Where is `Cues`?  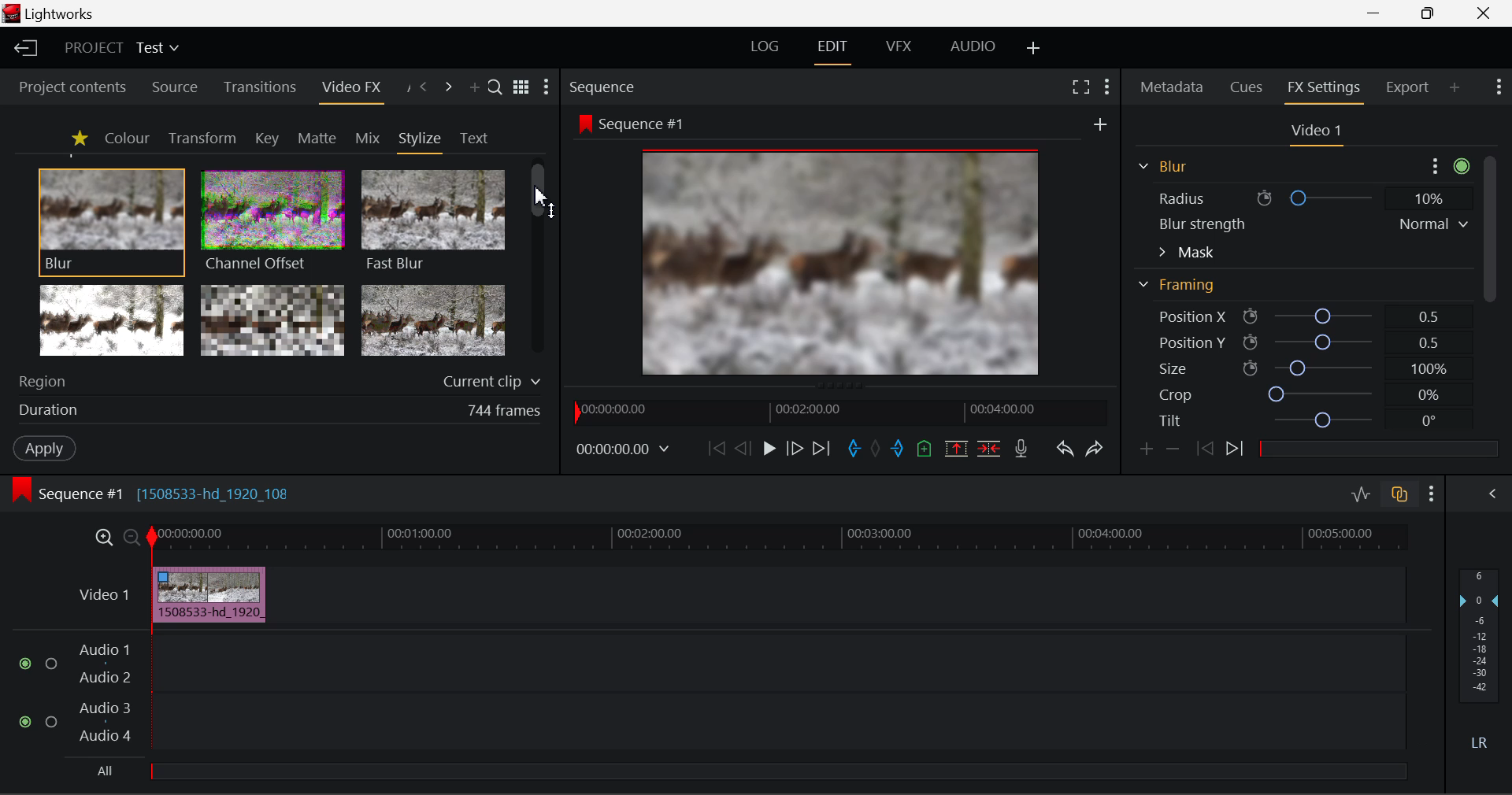
Cues is located at coordinates (1249, 88).